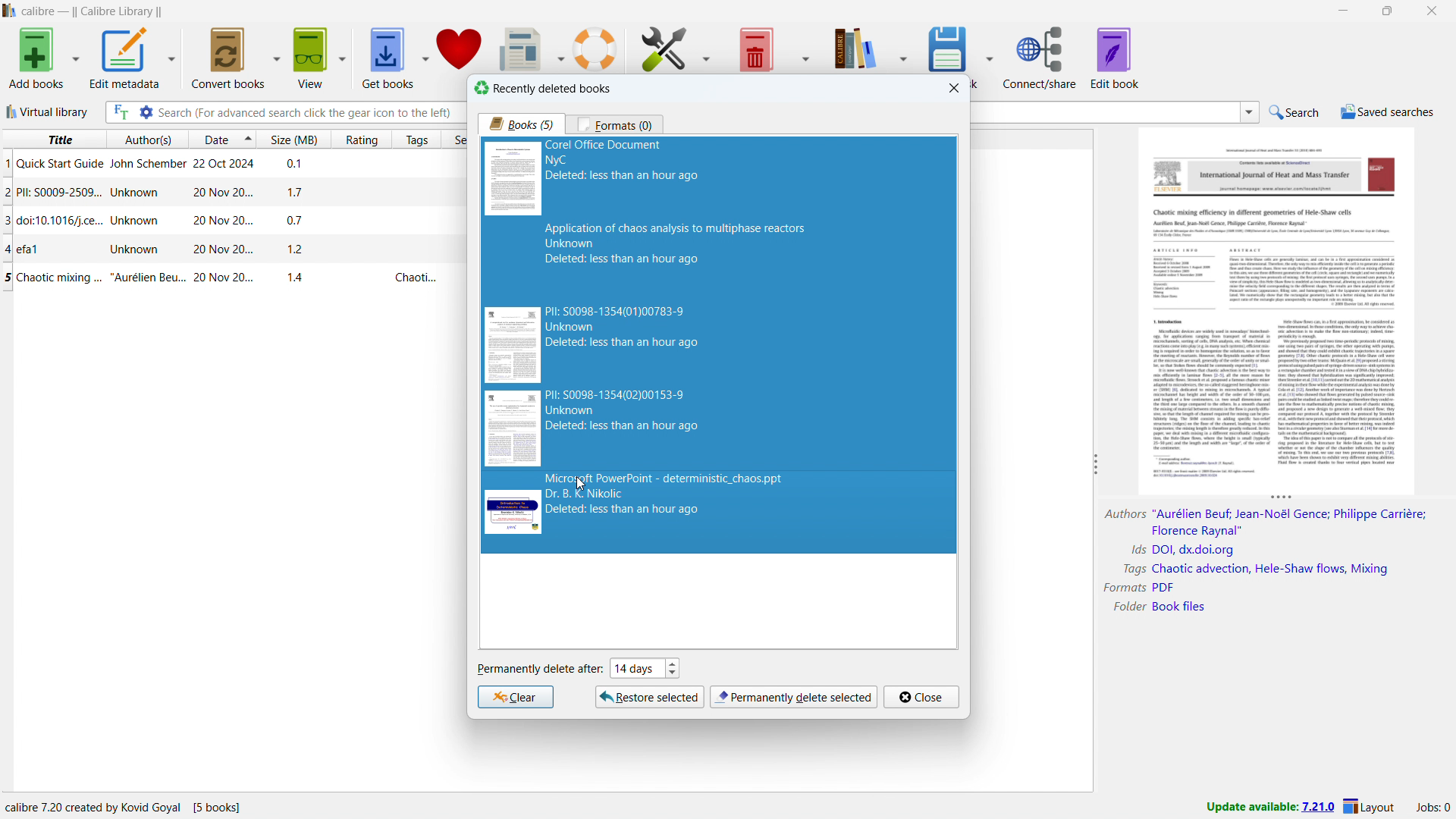  What do you see at coordinates (921, 697) in the screenshot?
I see `close` at bounding box center [921, 697].